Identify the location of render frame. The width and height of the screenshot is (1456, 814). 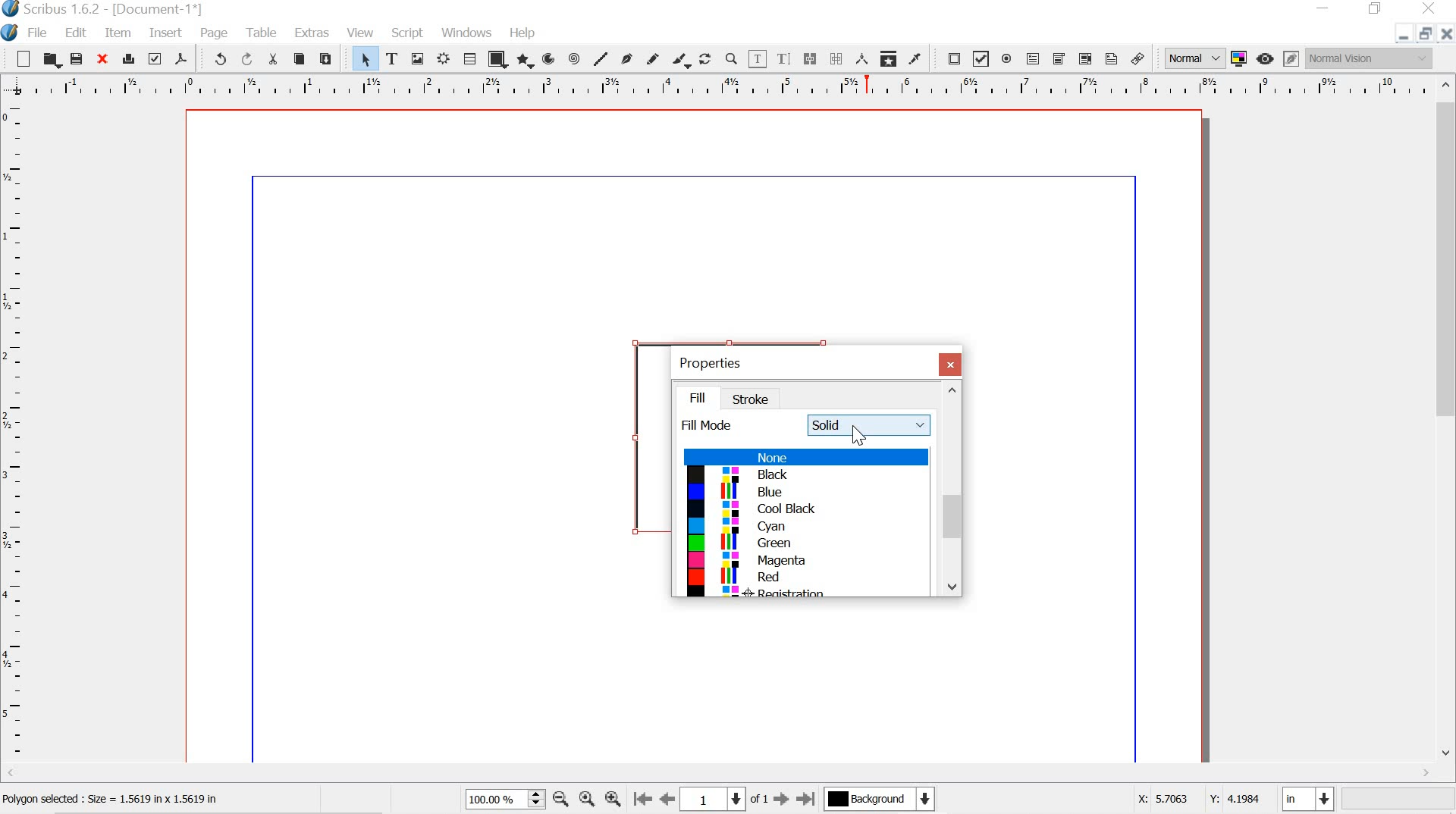
(444, 59).